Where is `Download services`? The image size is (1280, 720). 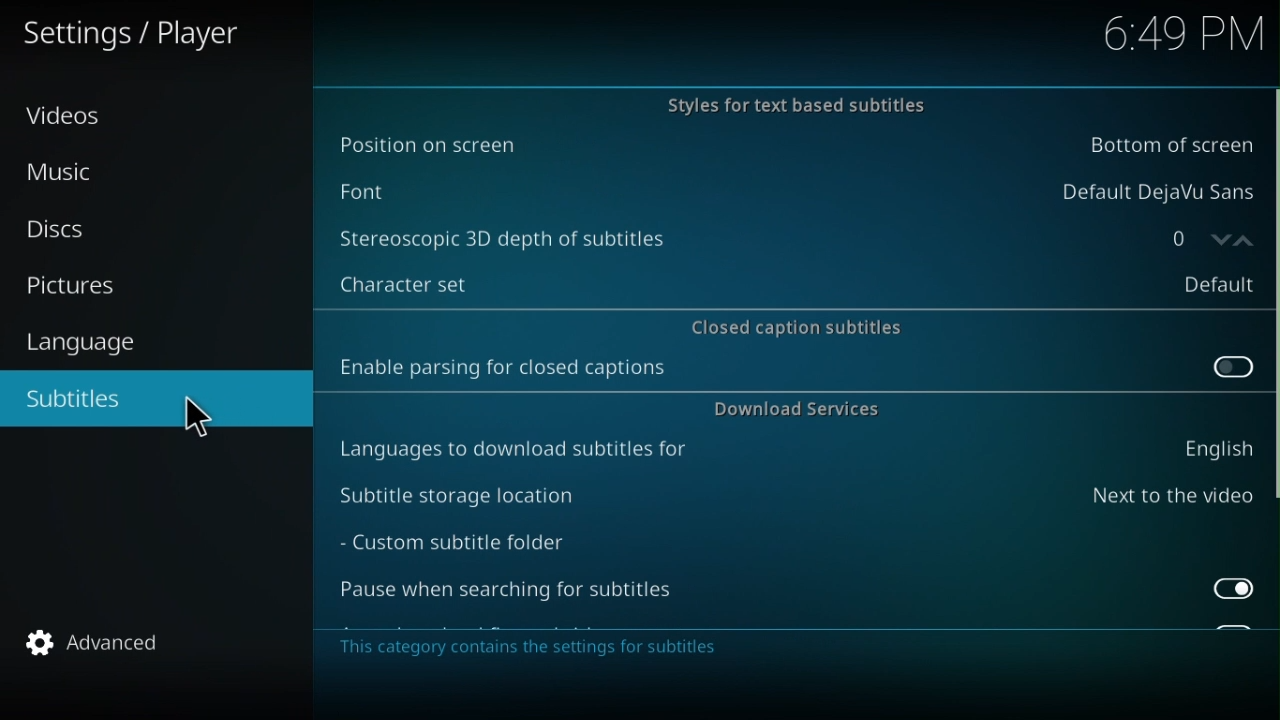 Download services is located at coordinates (793, 412).